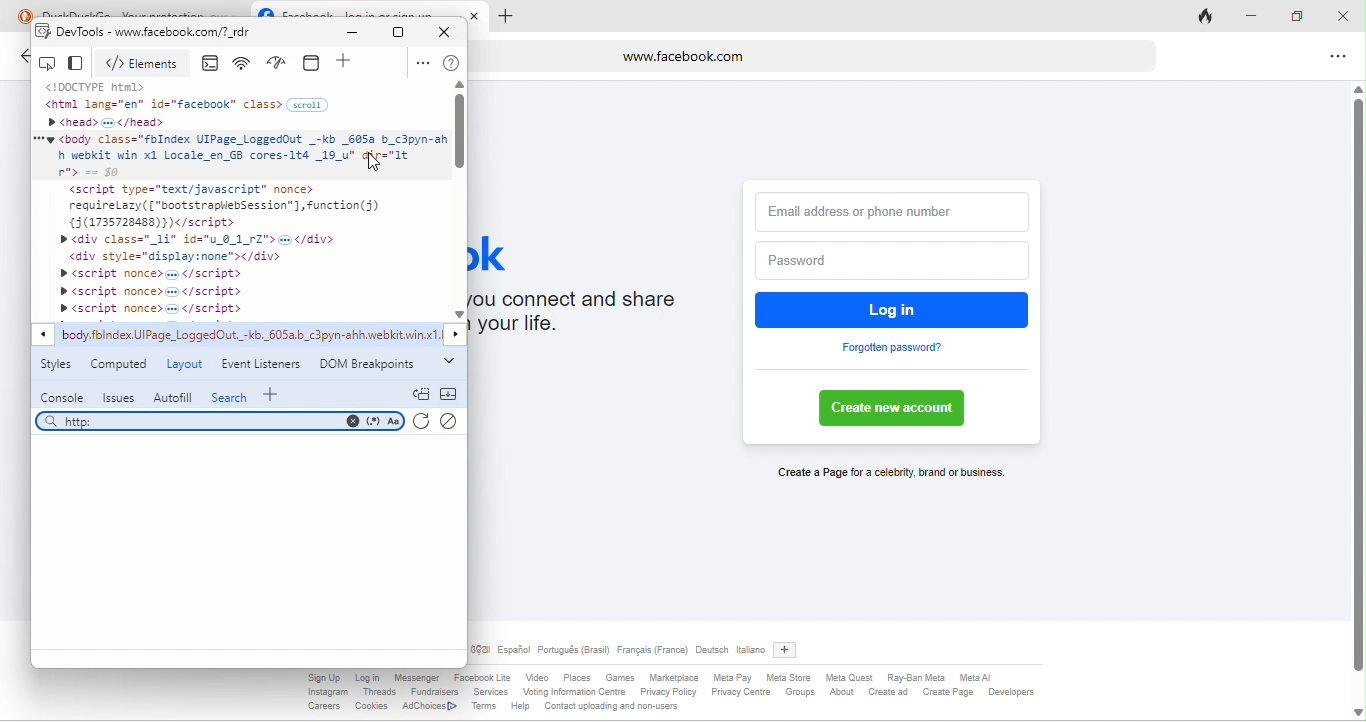  What do you see at coordinates (1356, 711) in the screenshot?
I see `scroll down` at bounding box center [1356, 711].